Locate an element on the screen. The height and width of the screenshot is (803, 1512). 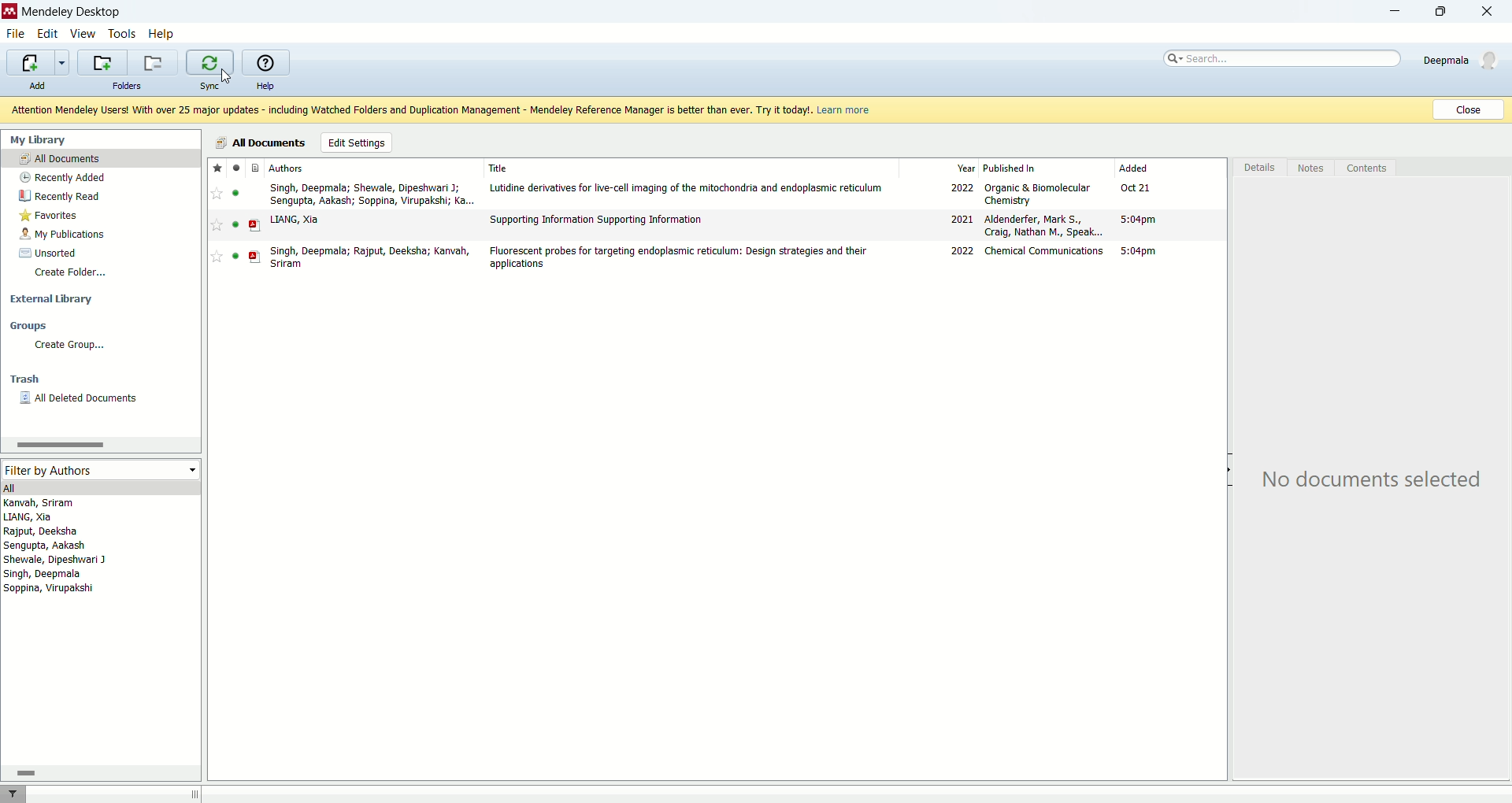
Singh, Deepmala; Shewale, Dipeshwari J; Sengupta, Aakash; Soppina, Virupakshi; Ka... is located at coordinates (372, 194).